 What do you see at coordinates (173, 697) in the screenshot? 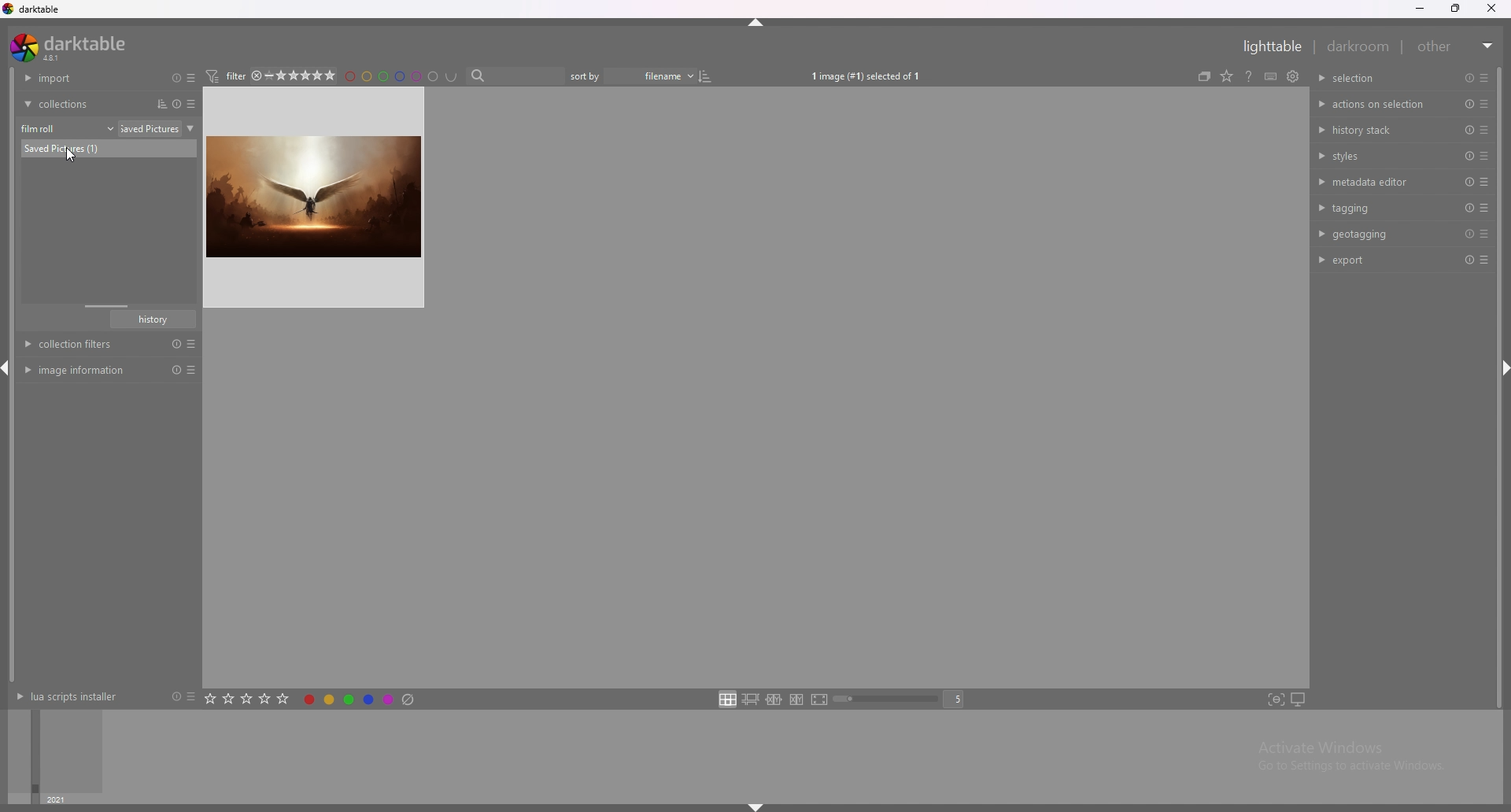
I see `reset` at bounding box center [173, 697].